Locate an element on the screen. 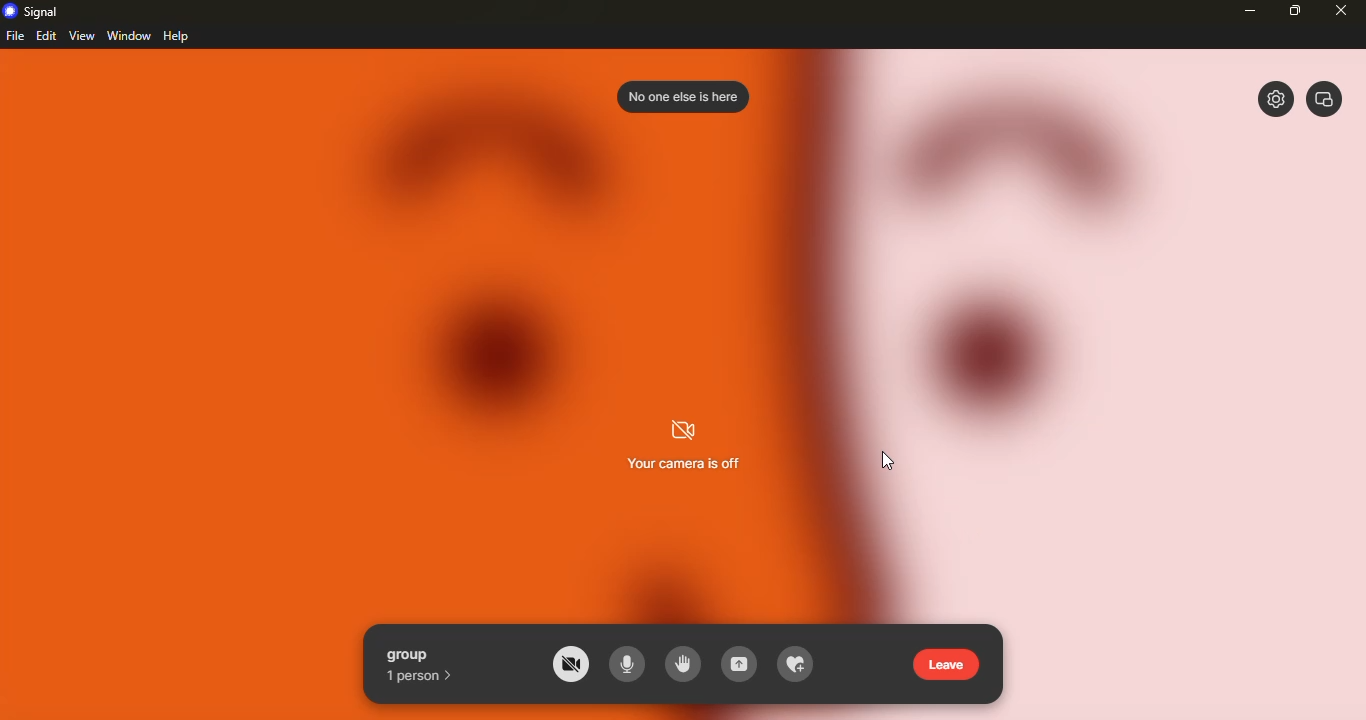 Image resolution: width=1366 pixels, height=720 pixels. cmera off logo is located at coordinates (687, 426).